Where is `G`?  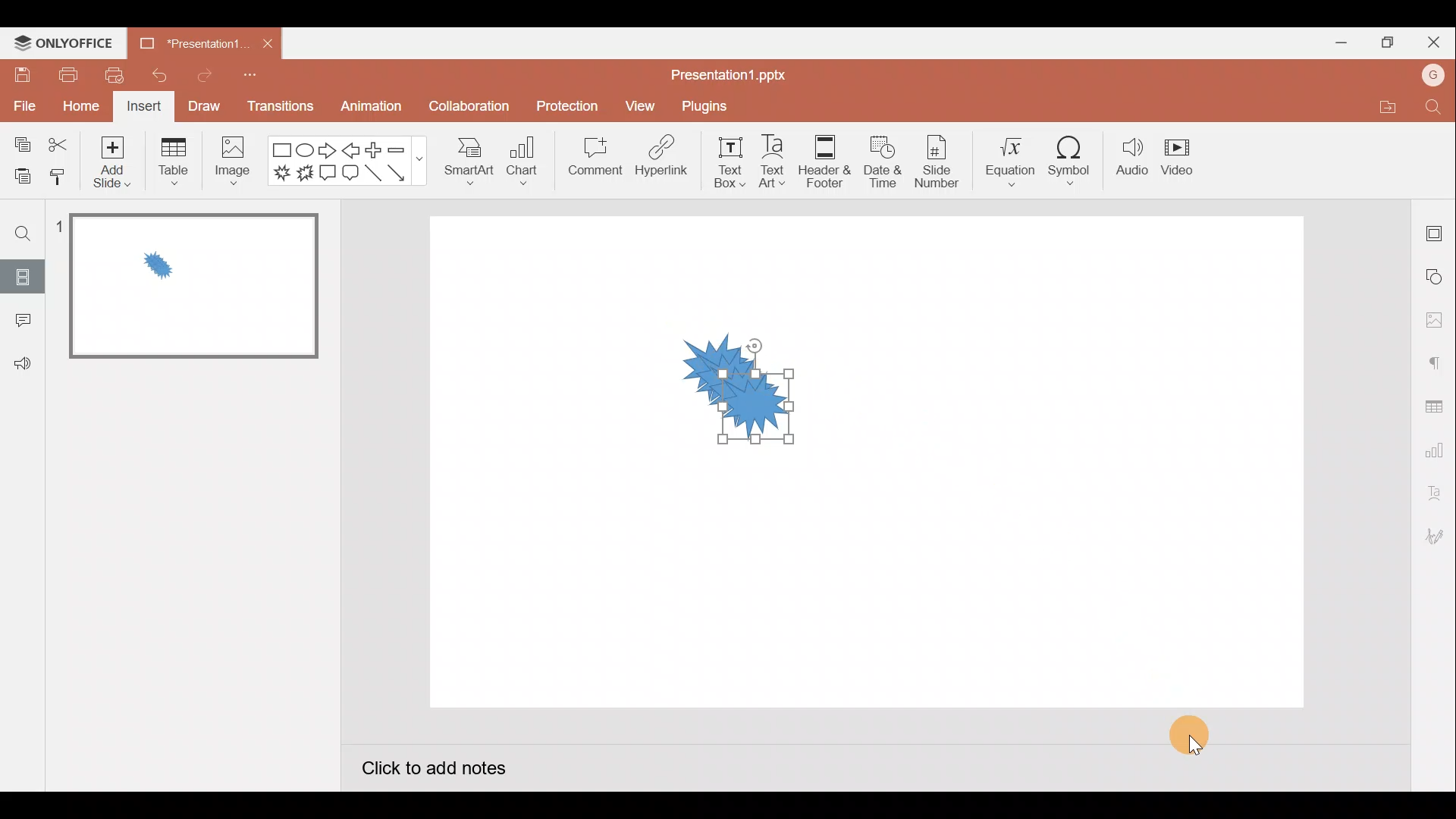
G is located at coordinates (1434, 73).